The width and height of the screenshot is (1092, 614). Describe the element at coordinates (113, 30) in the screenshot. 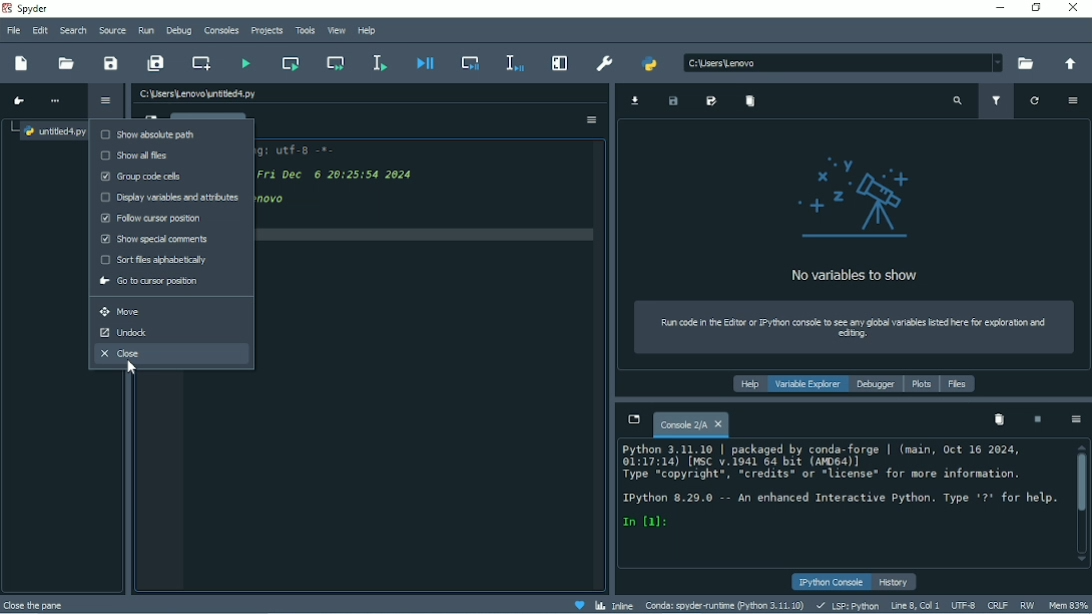

I see `Source` at that location.